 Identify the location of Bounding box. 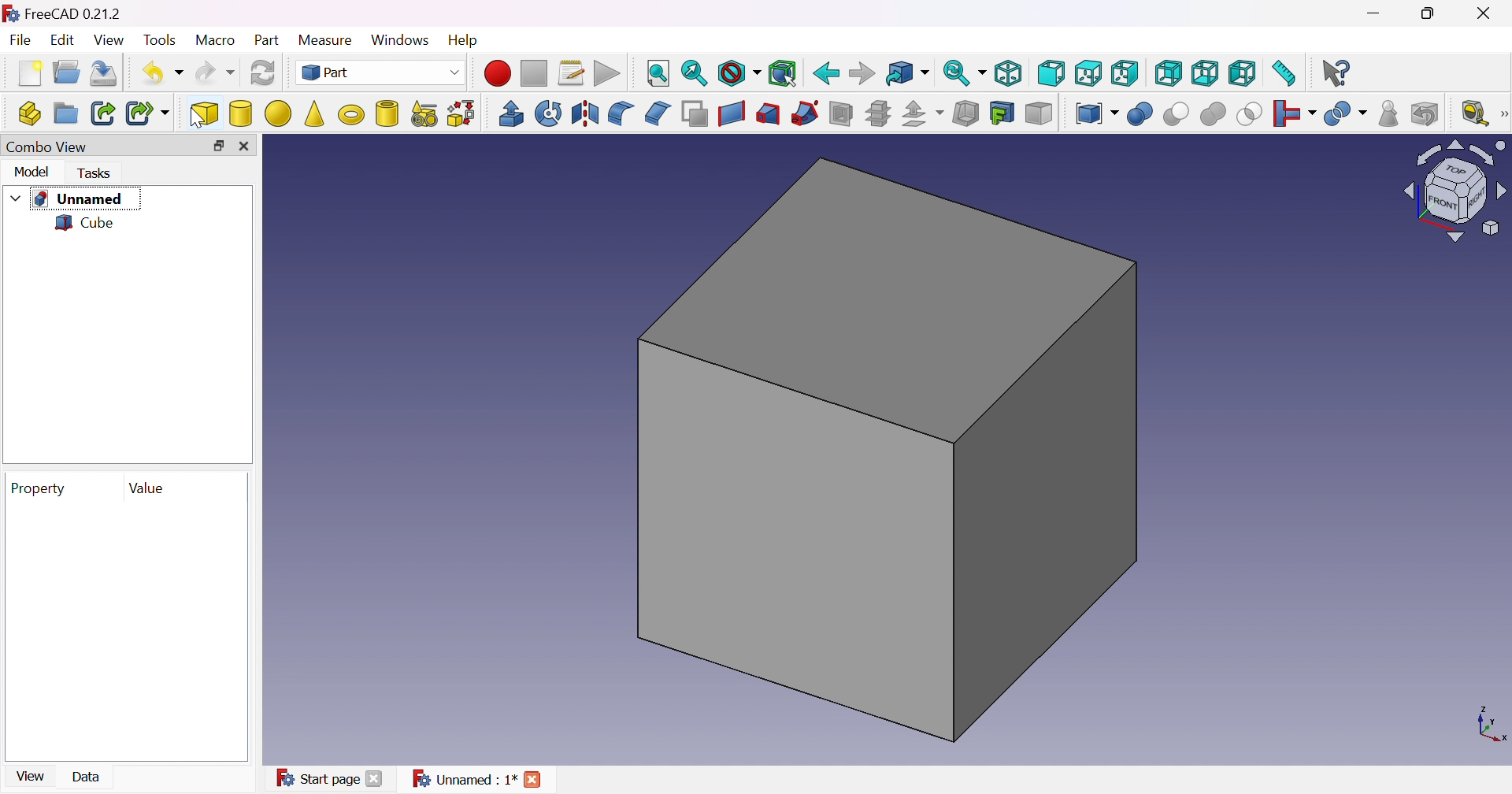
(784, 72).